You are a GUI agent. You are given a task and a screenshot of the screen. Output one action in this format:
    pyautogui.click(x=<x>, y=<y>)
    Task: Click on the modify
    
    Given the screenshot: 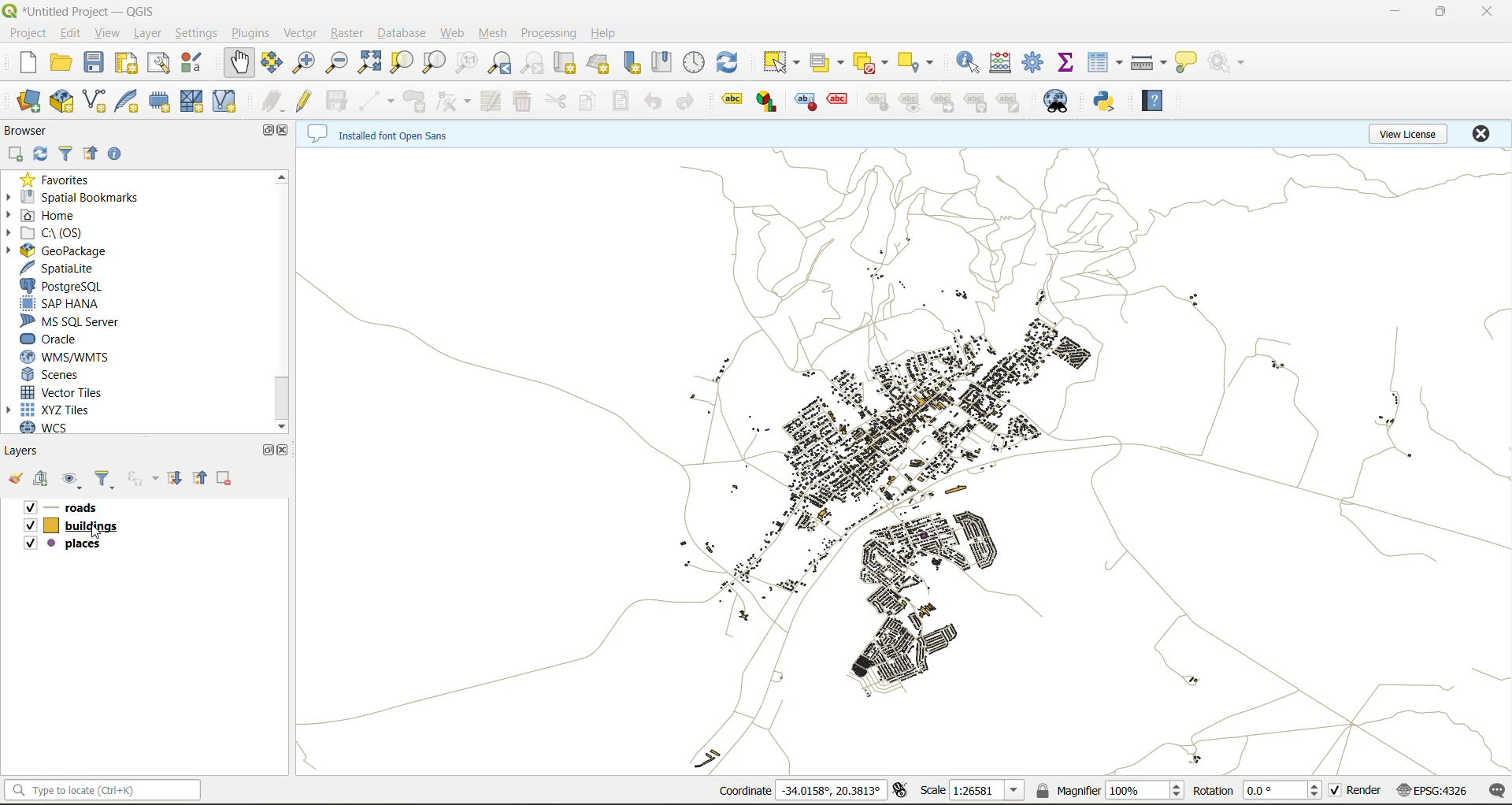 What is the action you would take?
    pyautogui.click(x=490, y=102)
    